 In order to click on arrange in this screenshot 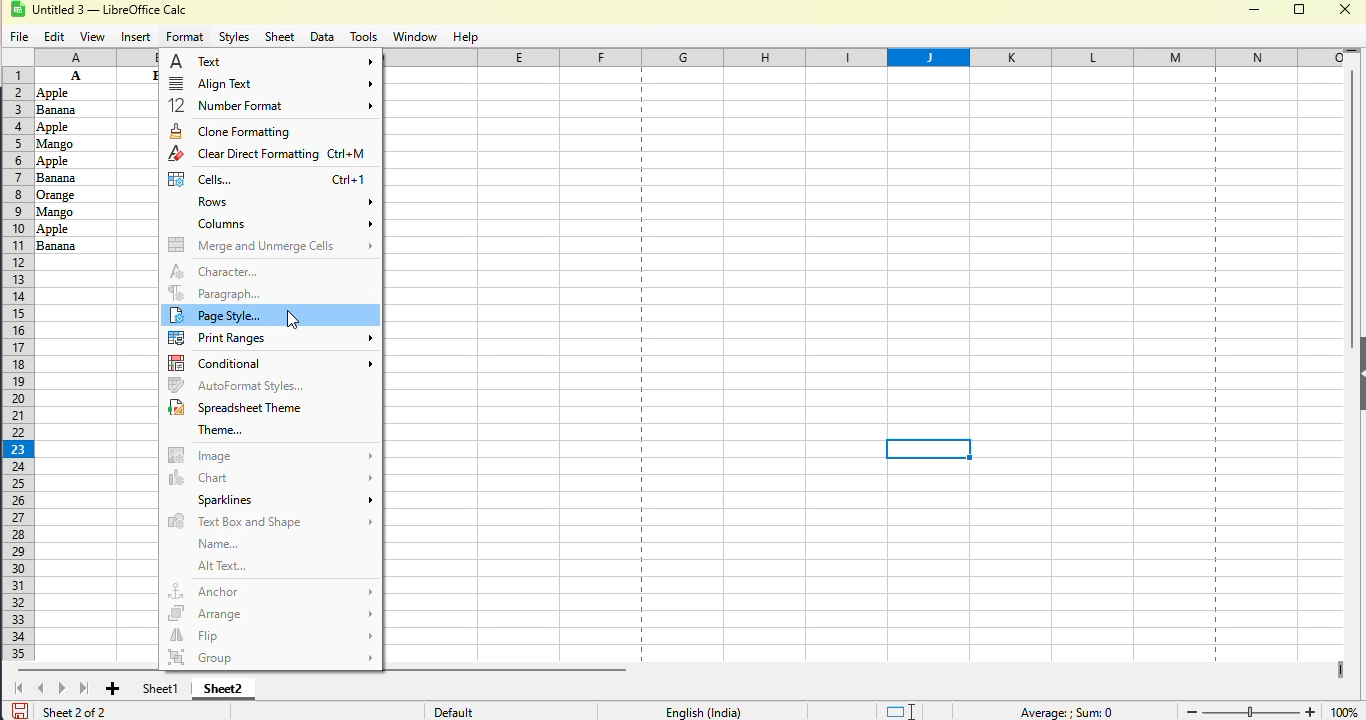, I will do `click(269, 614)`.